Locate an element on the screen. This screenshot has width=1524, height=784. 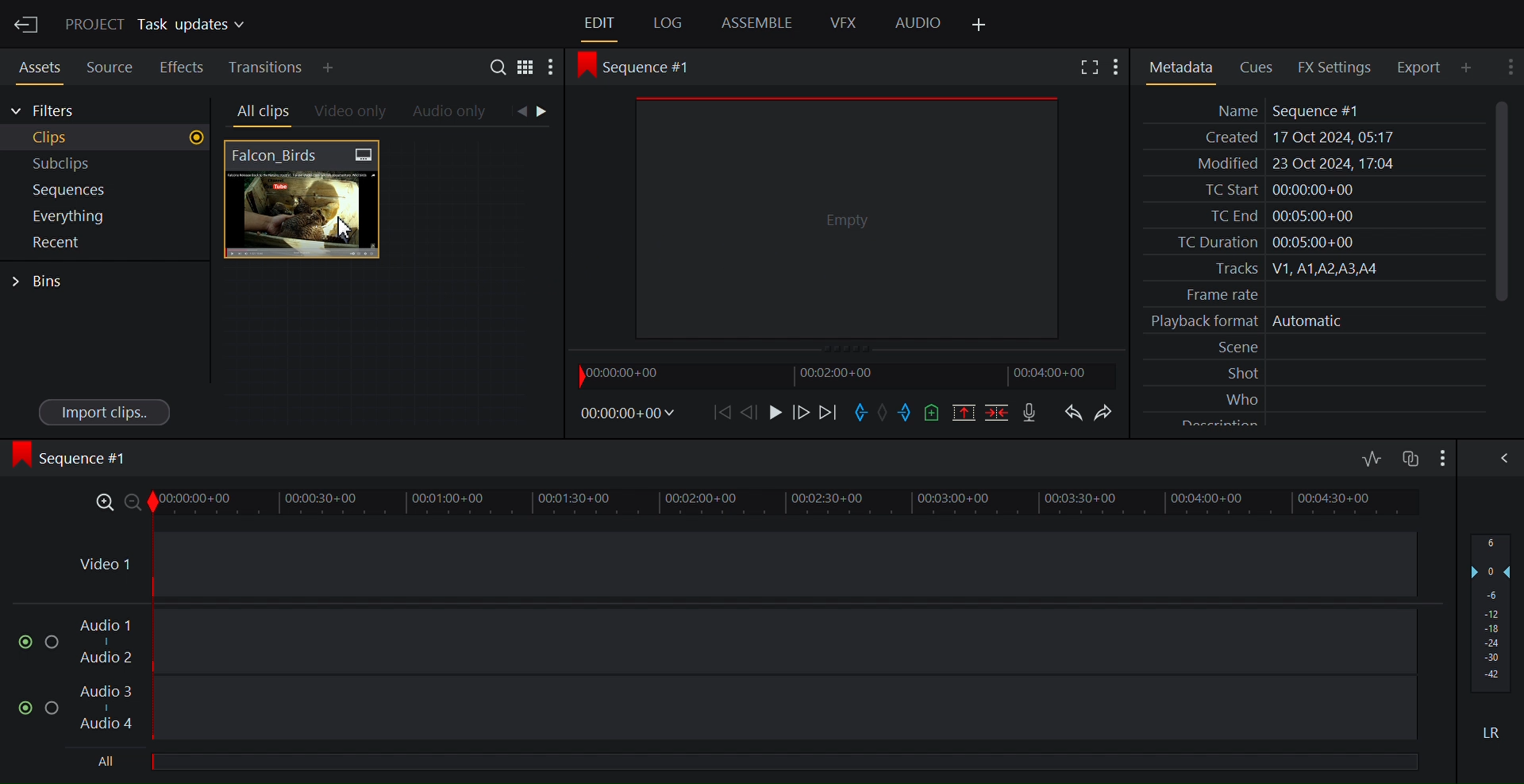
Move forward is located at coordinates (829, 413).